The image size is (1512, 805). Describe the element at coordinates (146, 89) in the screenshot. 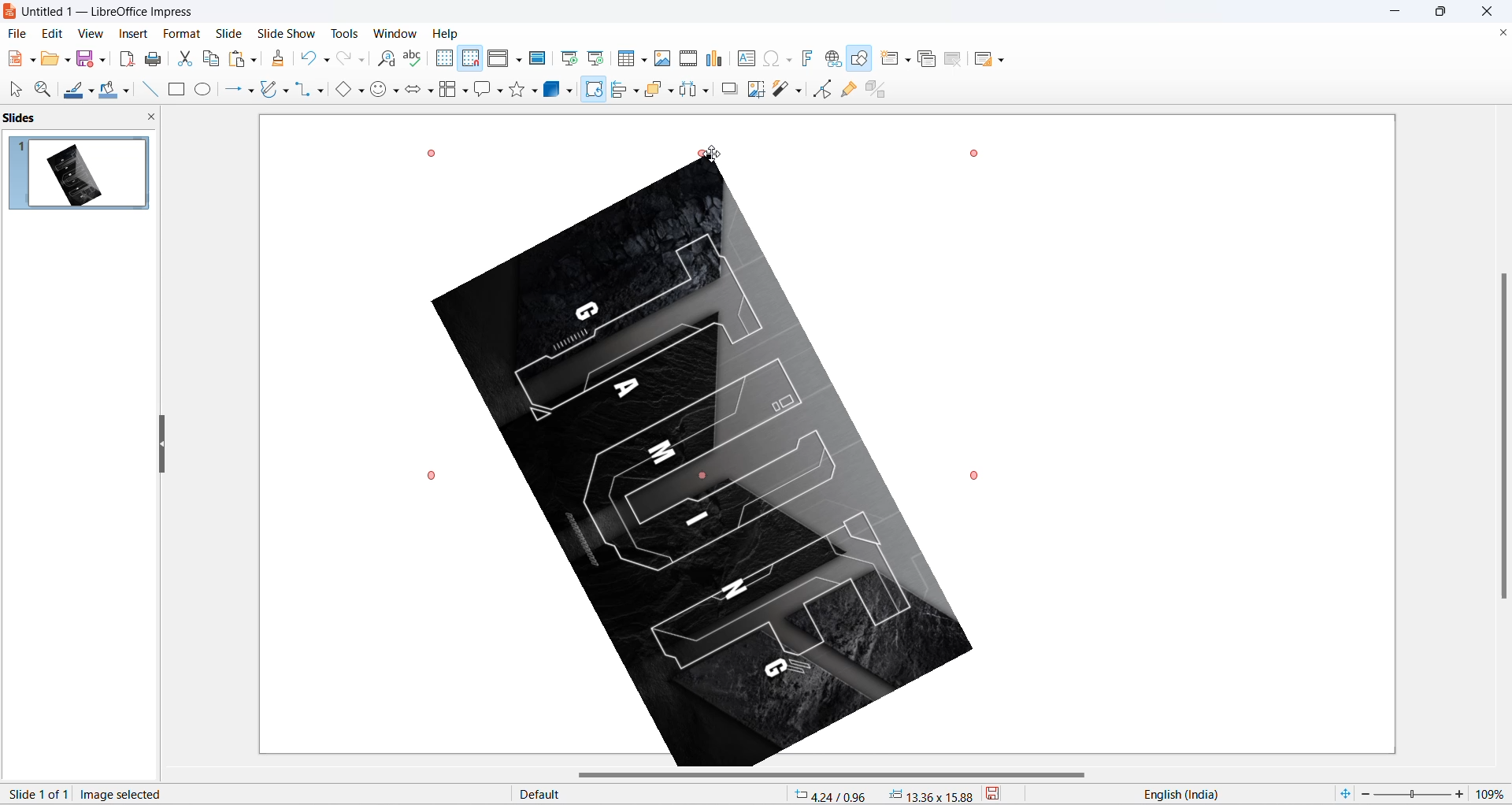

I see `line` at that location.